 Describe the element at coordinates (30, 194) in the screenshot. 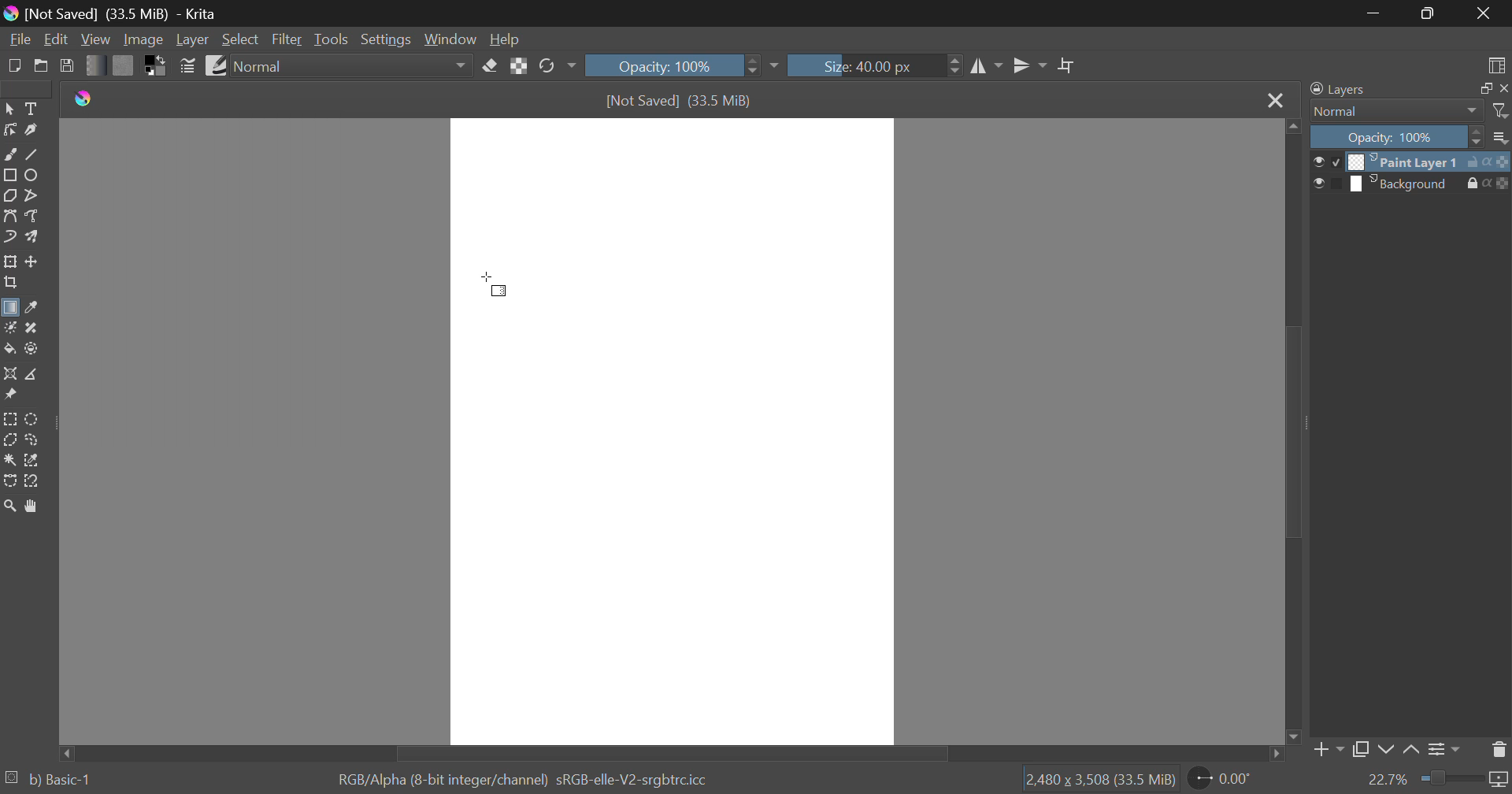

I see `Polyline` at that location.